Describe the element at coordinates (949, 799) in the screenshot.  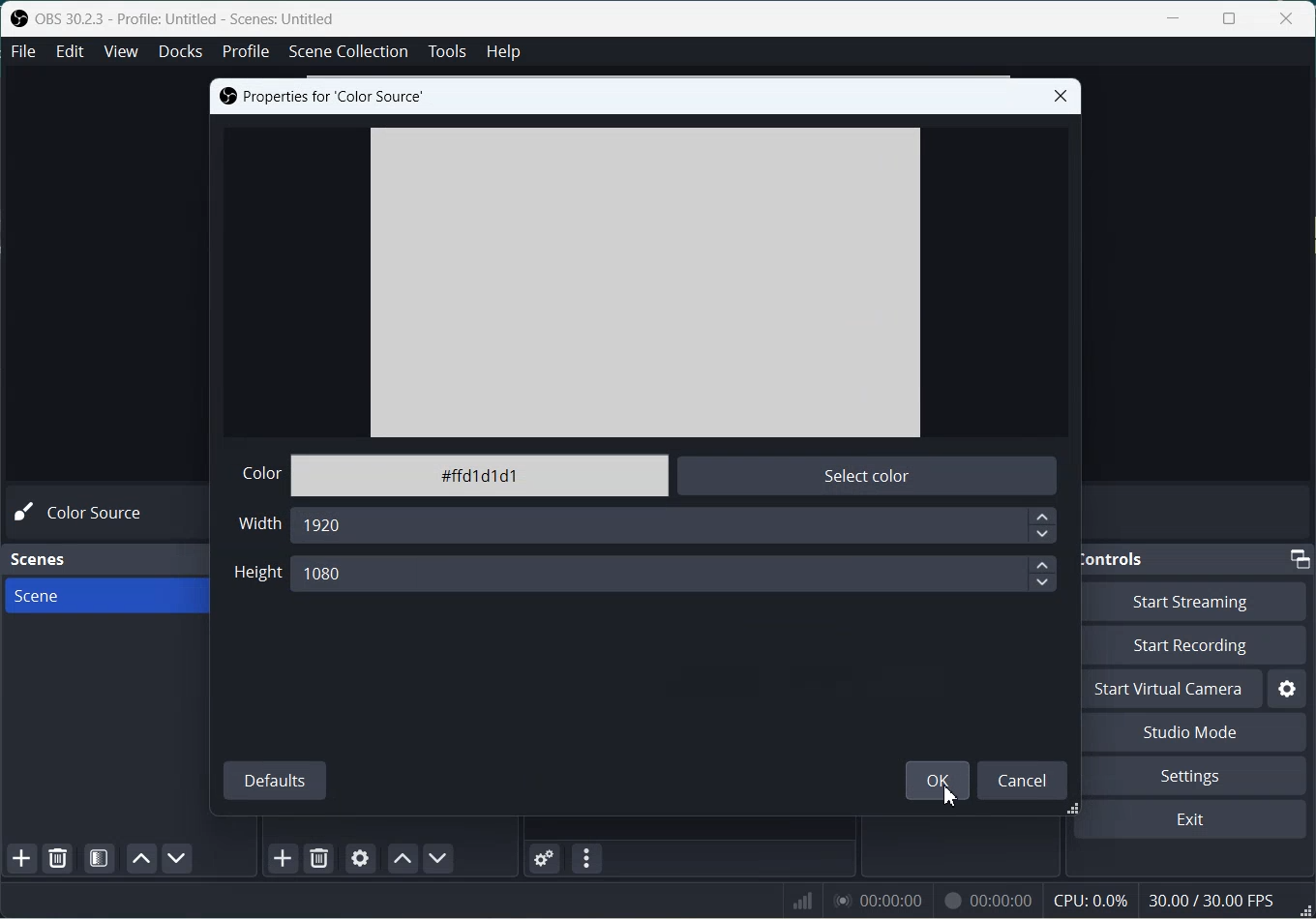
I see `Cursor` at that location.